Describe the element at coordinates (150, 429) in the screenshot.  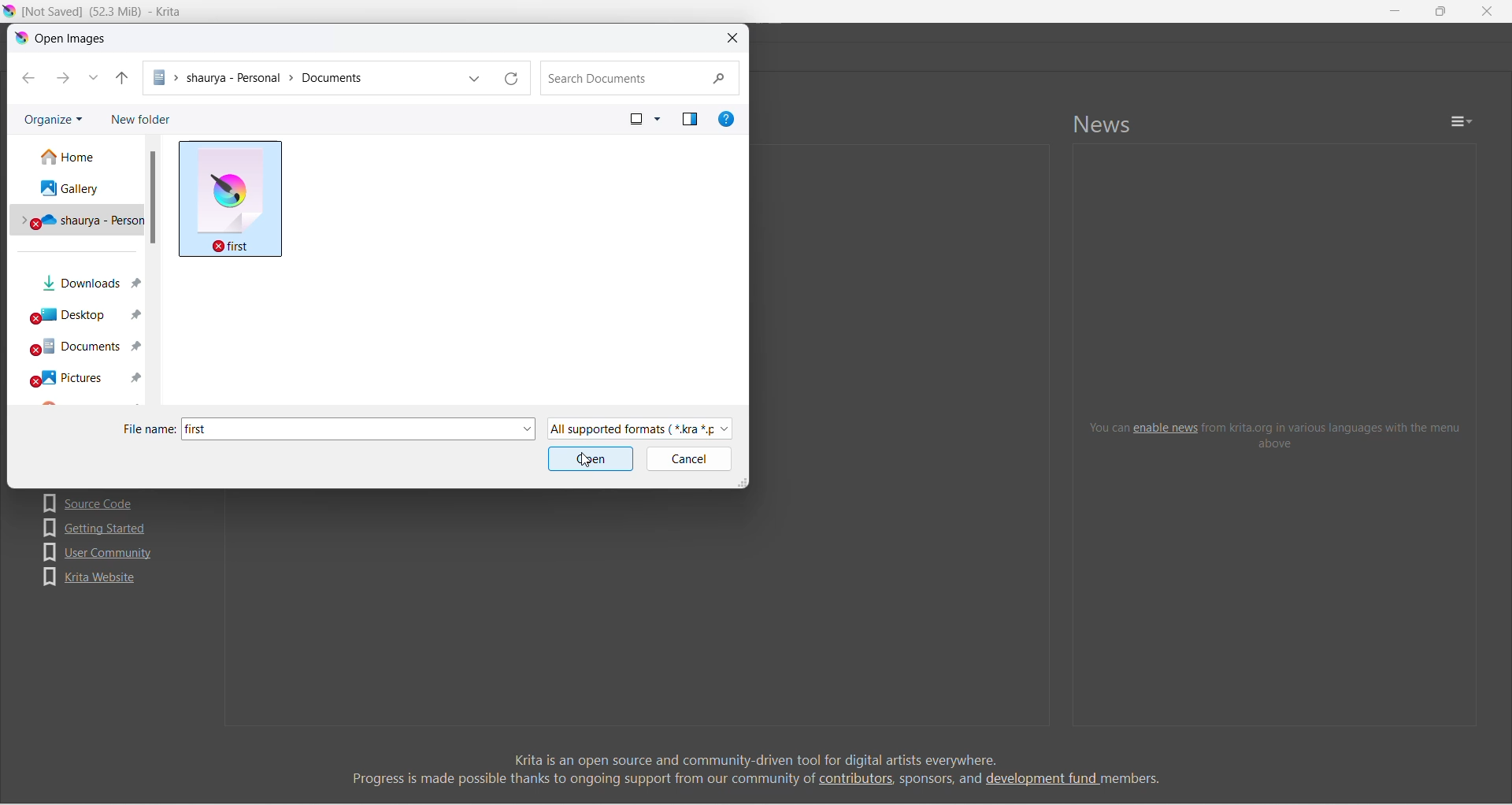
I see `file name` at that location.